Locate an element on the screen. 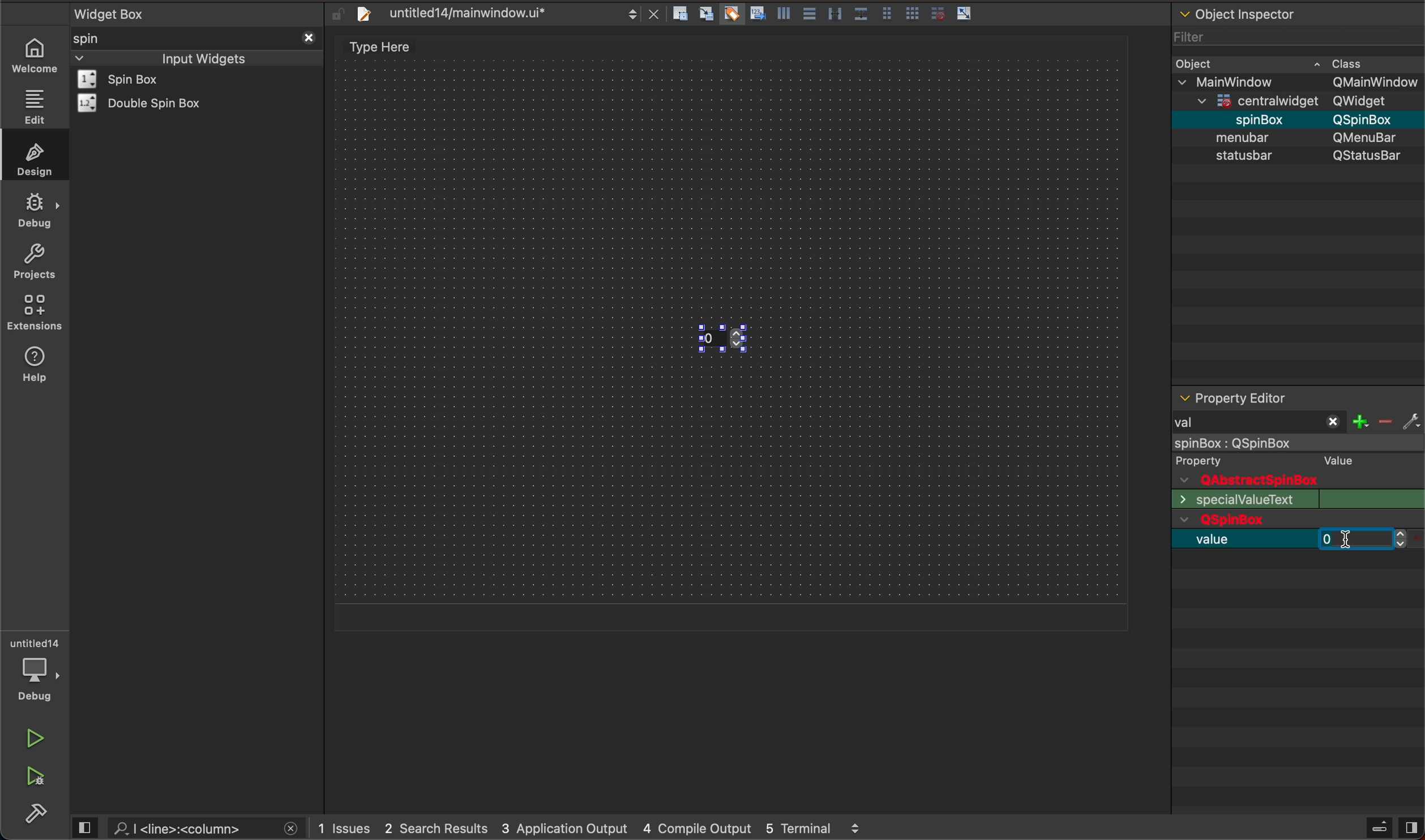 The height and width of the screenshot is (840, 1425). object inspector is located at coordinates (1298, 12).